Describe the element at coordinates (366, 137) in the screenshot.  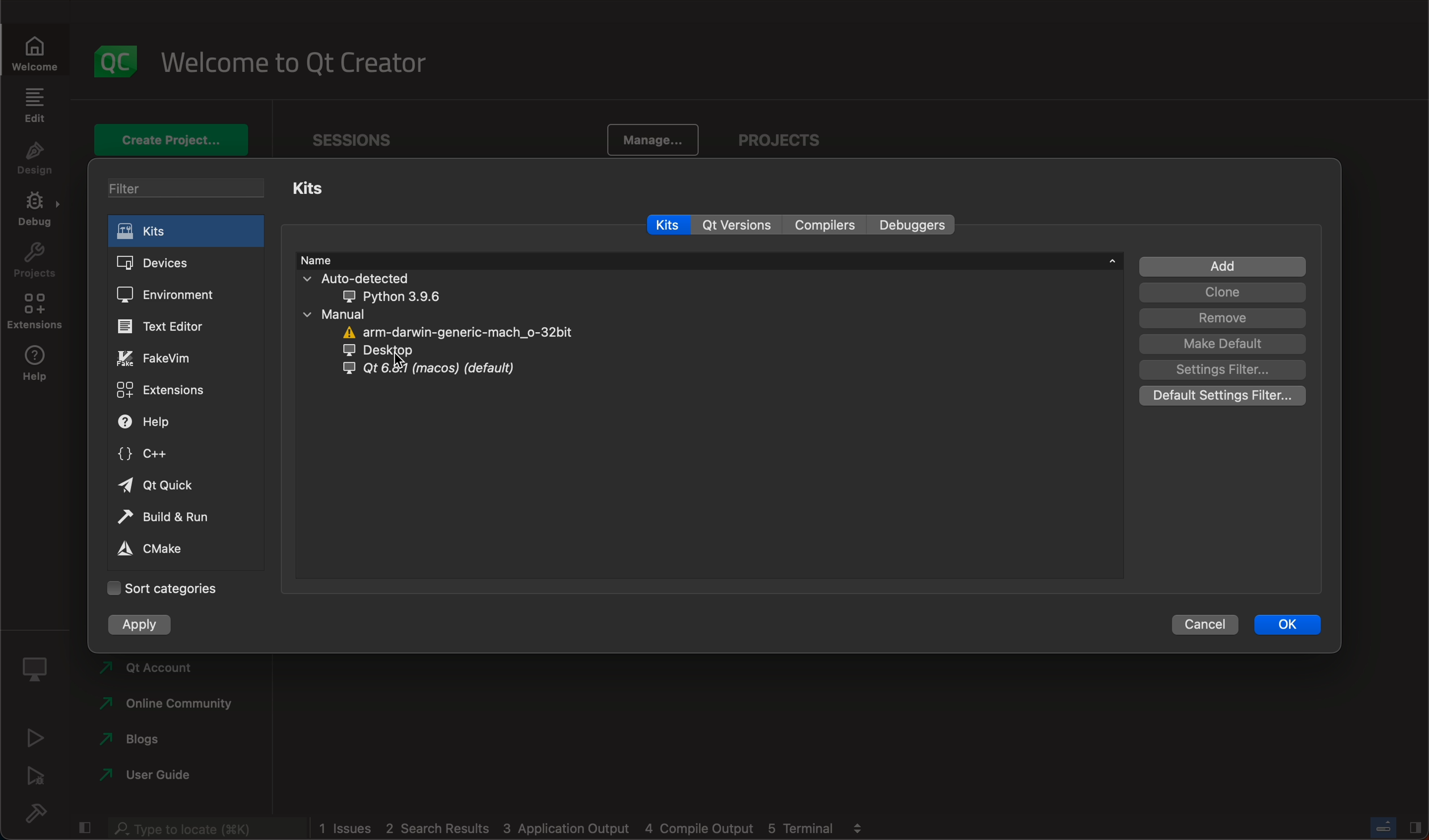
I see `Sessions` at that location.